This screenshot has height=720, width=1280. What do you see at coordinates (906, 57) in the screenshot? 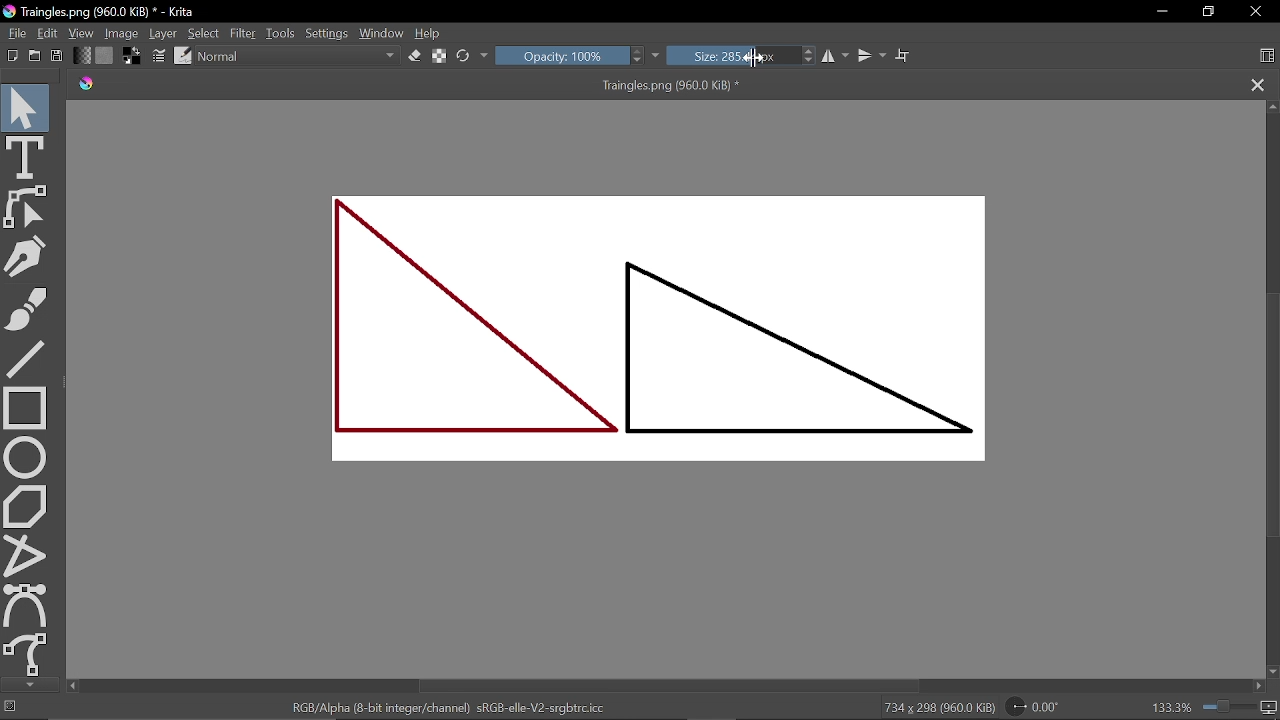
I see `Wrap around mode` at bounding box center [906, 57].